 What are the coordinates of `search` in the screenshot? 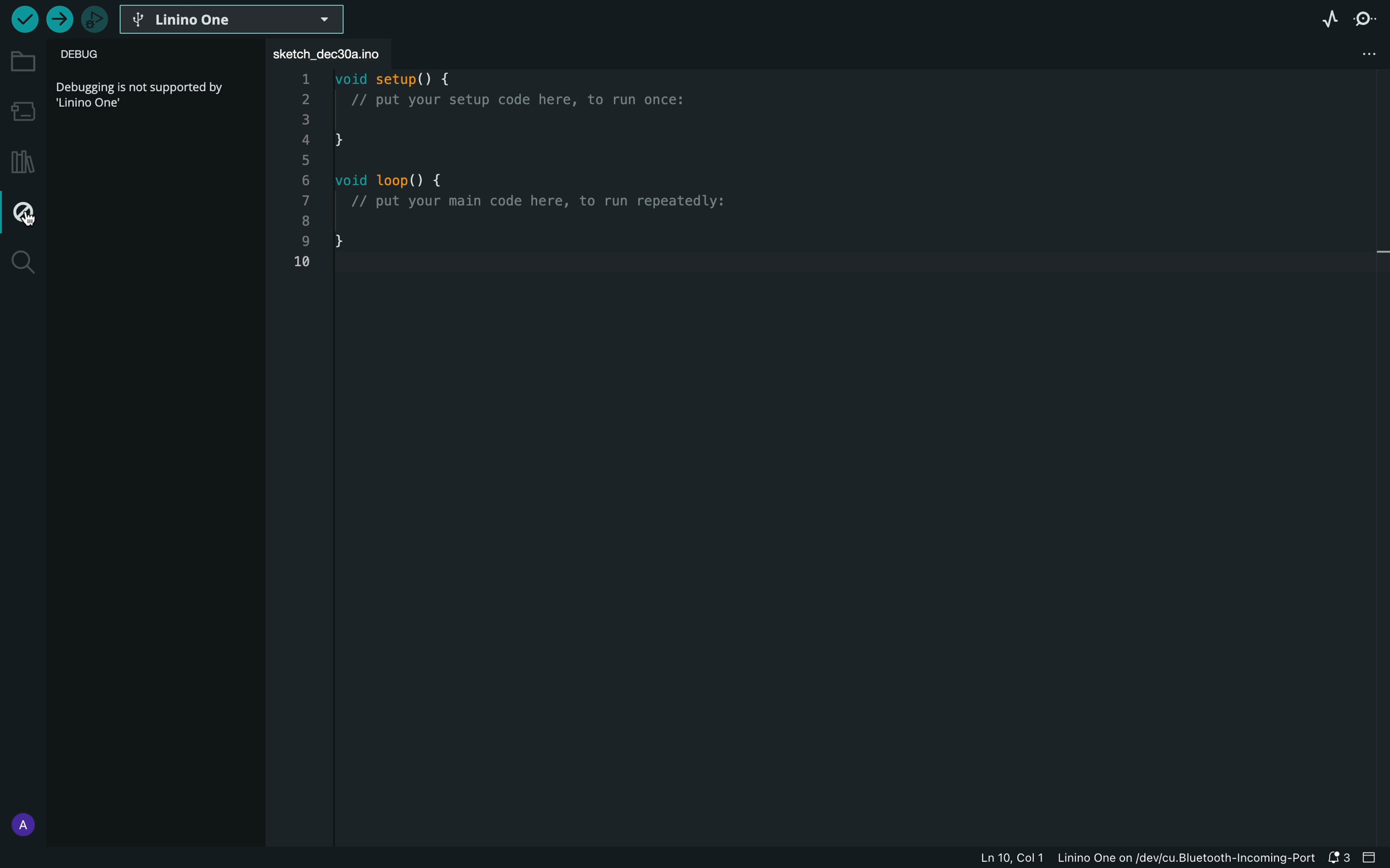 It's located at (20, 263).